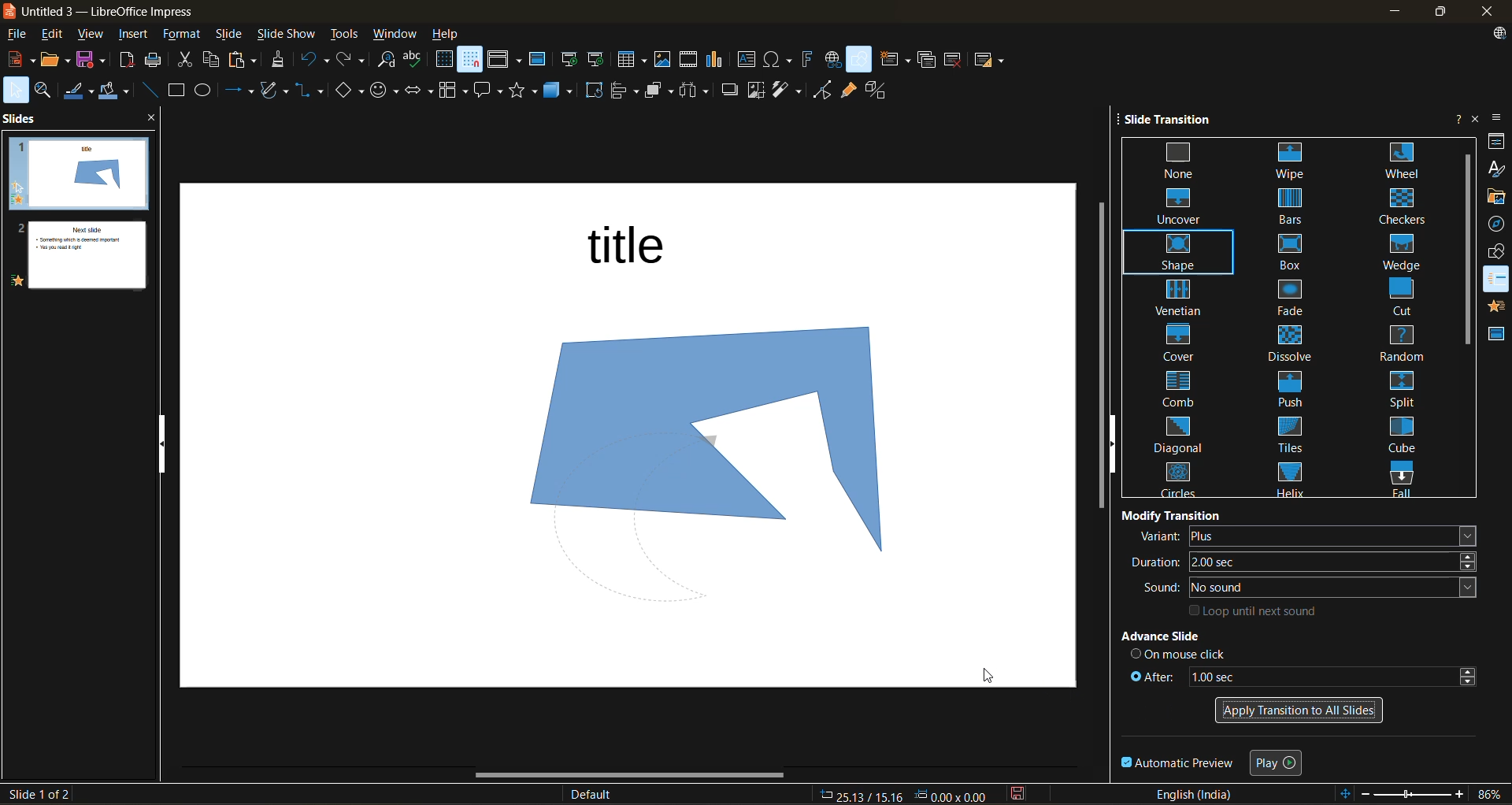  I want to click on new, so click(18, 61).